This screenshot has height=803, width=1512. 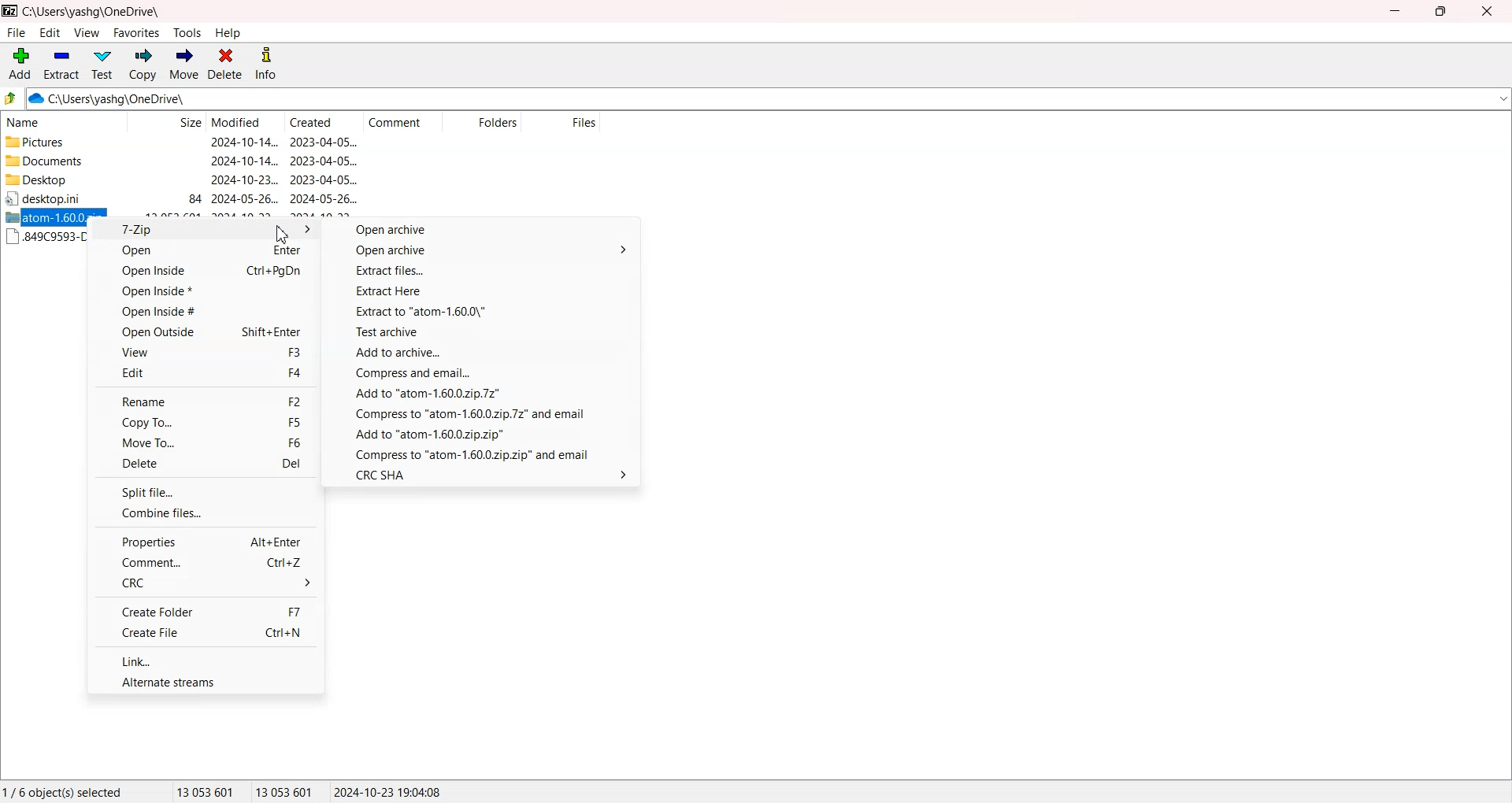 I want to click on .894c File, so click(x=46, y=237).